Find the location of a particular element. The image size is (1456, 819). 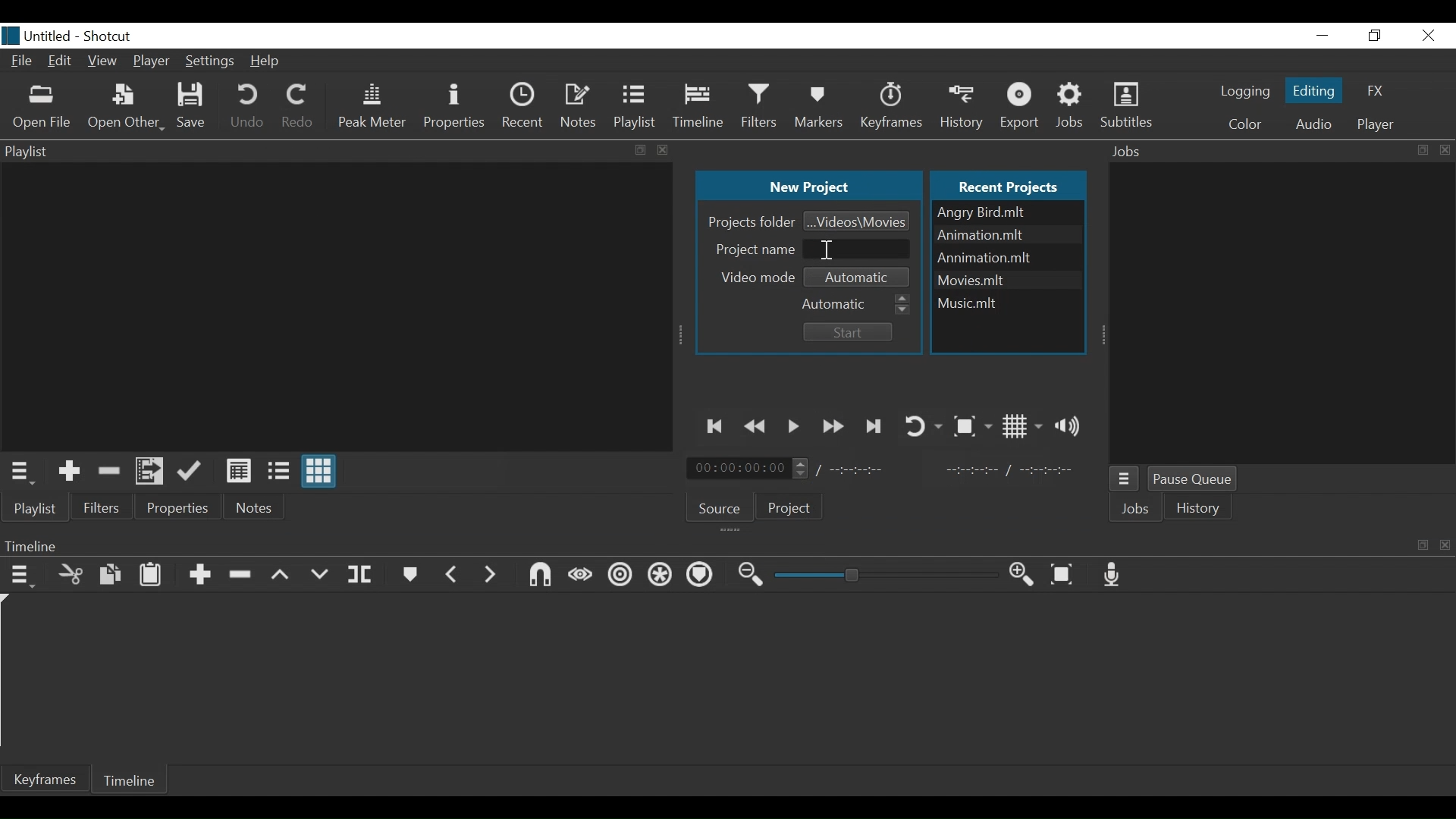

istory is located at coordinates (1202, 508).